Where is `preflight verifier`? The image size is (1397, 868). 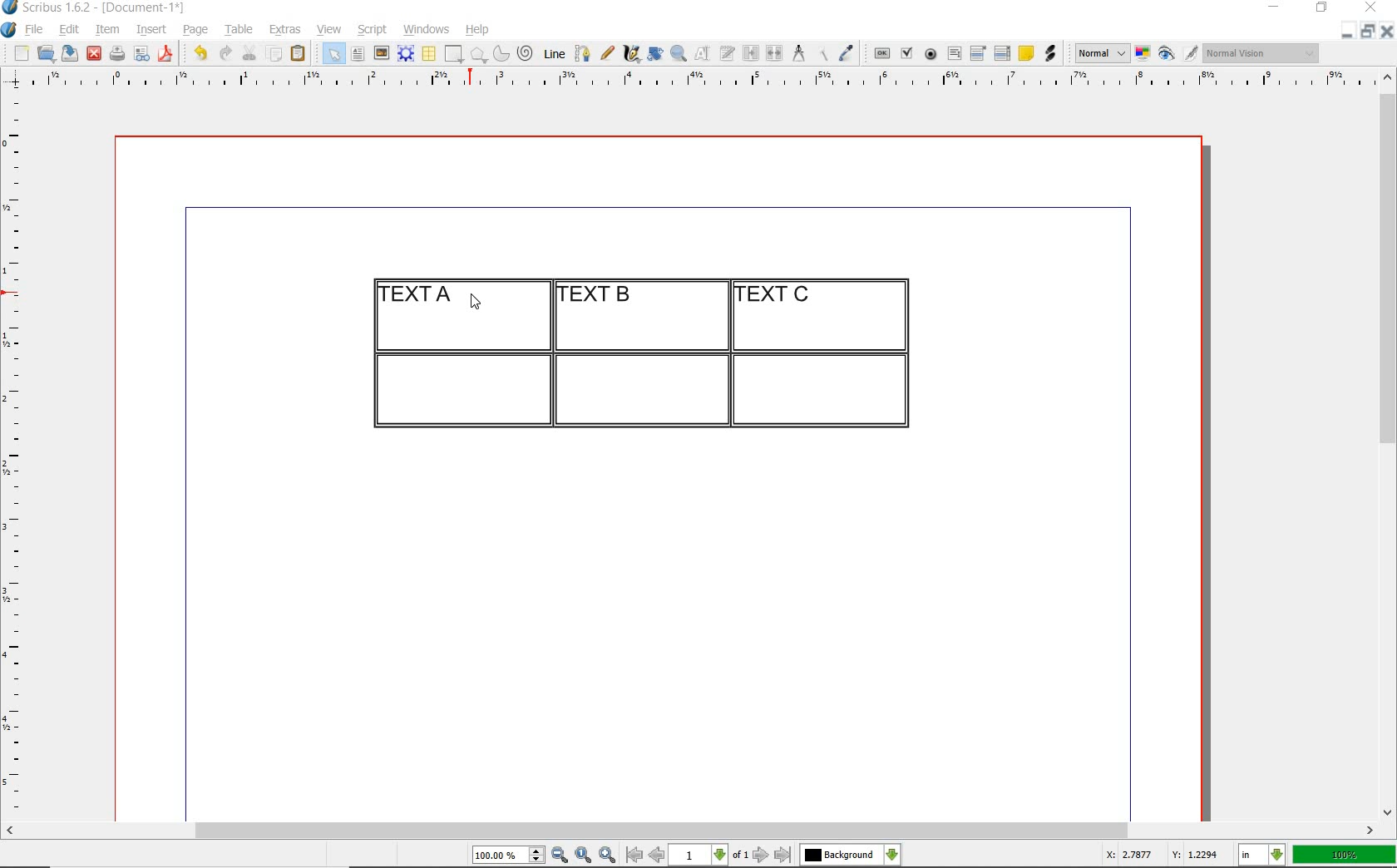
preflight verifier is located at coordinates (142, 55).